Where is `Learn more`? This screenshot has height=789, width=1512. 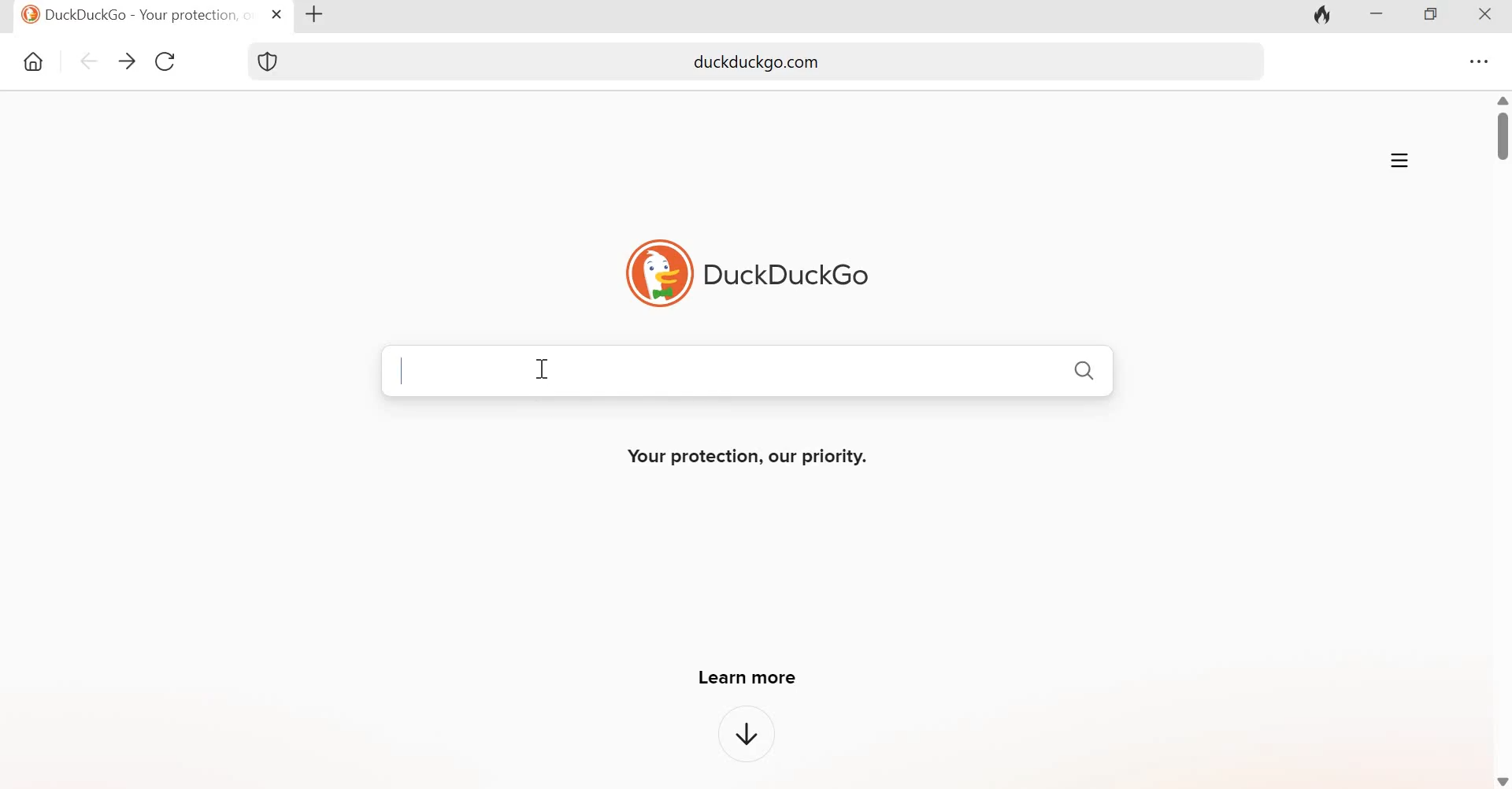 Learn more is located at coordinates (743, 674).